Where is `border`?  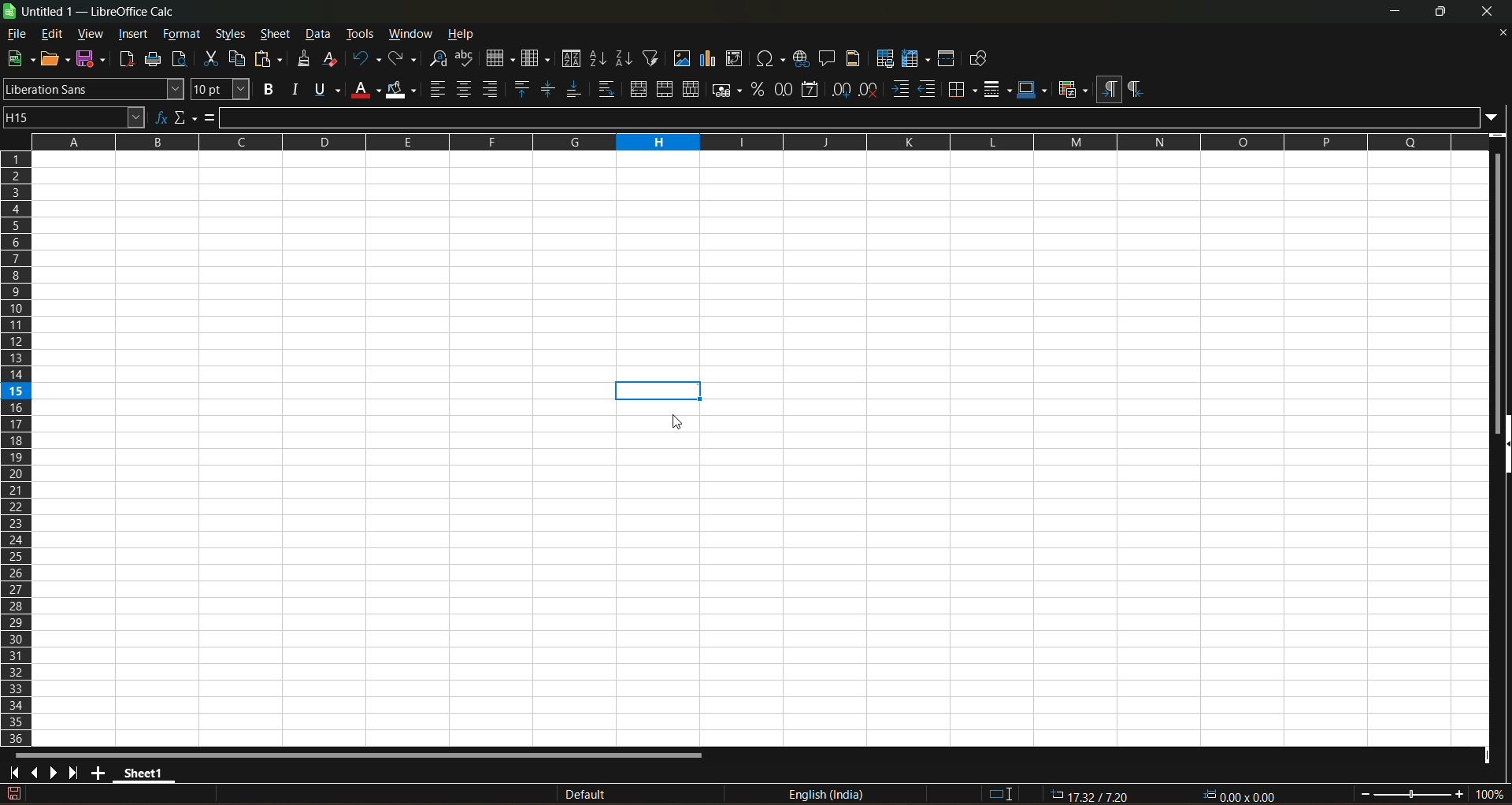 border is located at coordinates (961, 88).